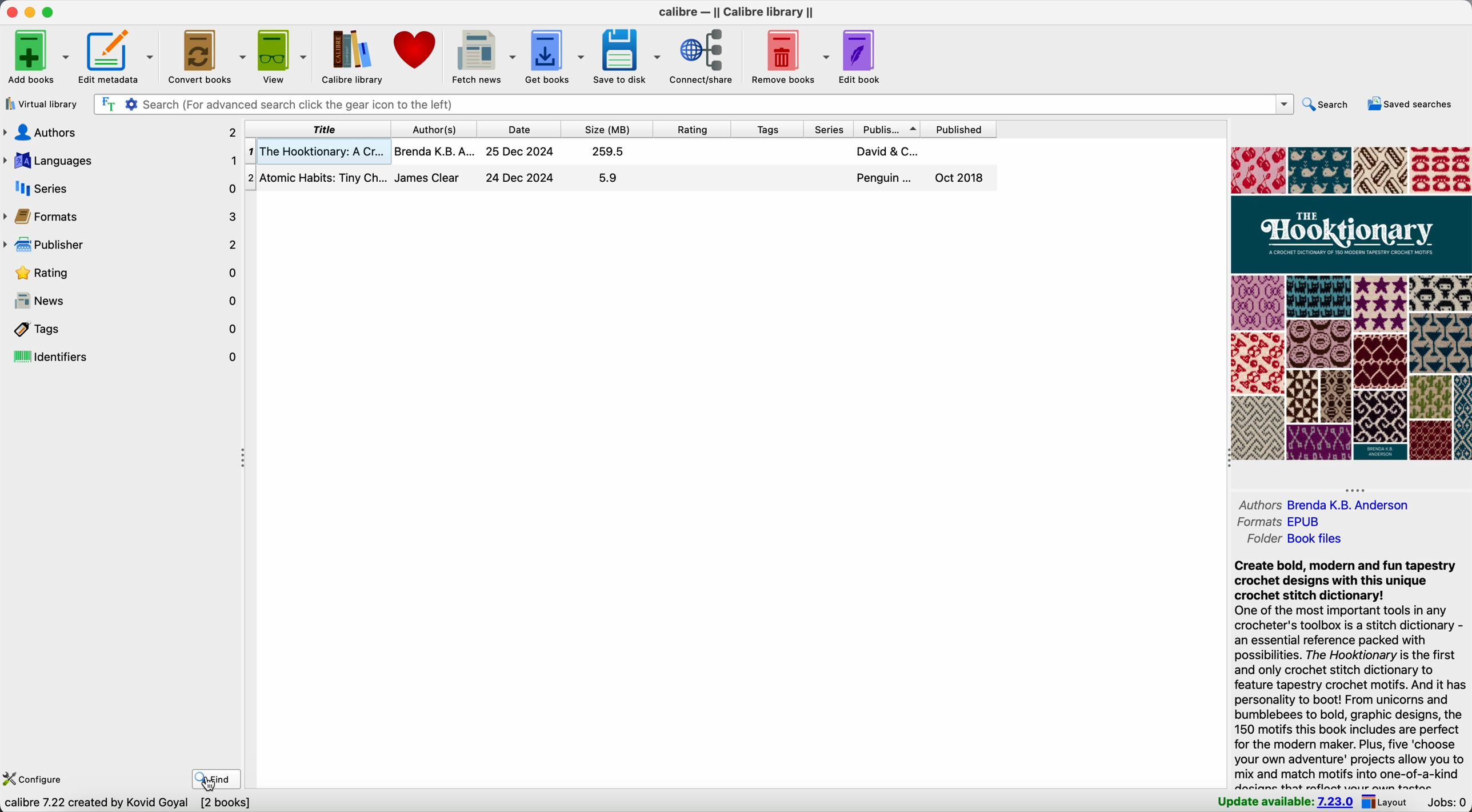 The image size is (1472, 812). I want to click on folder, so click(1293, 540).